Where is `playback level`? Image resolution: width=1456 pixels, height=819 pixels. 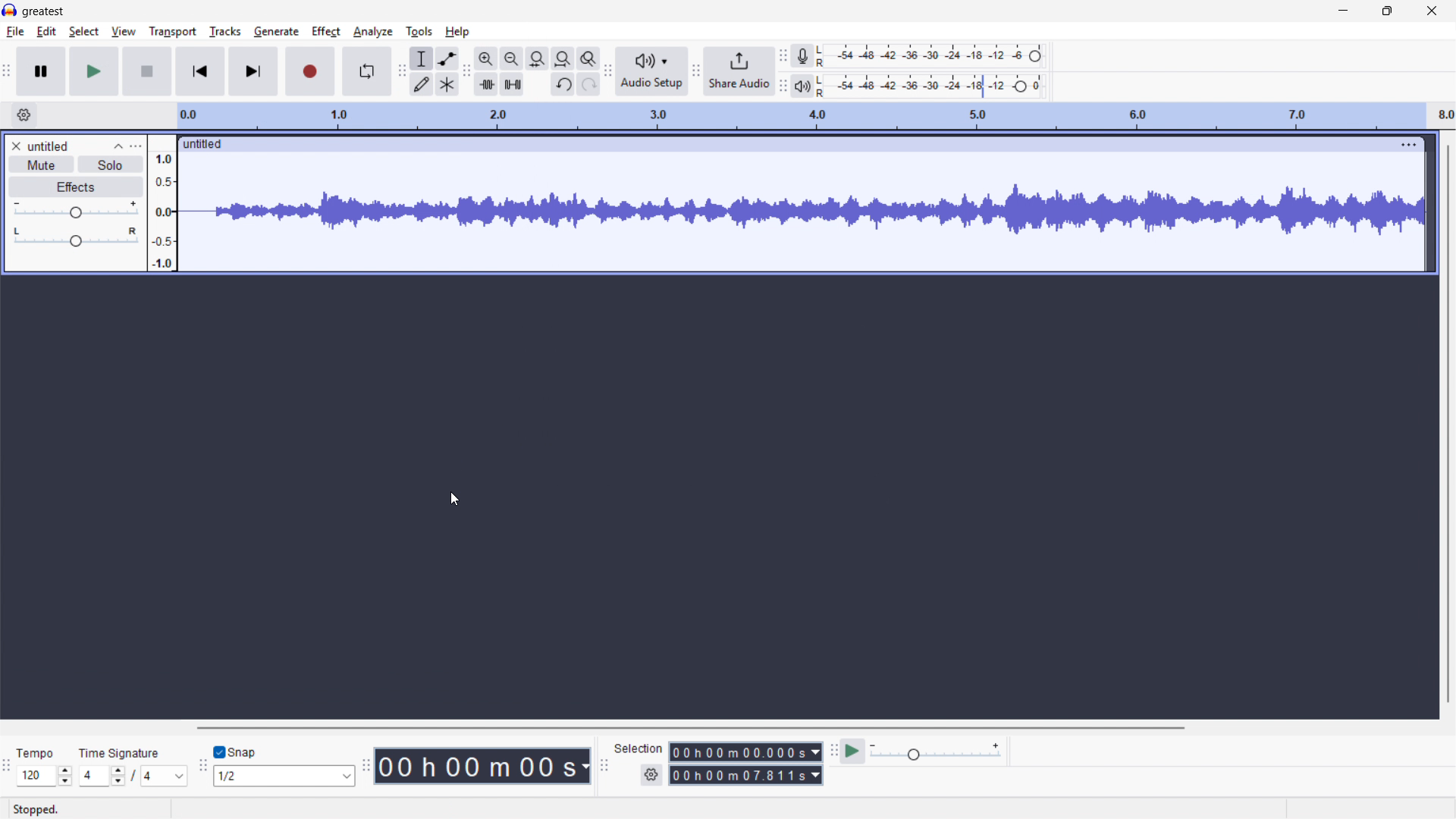
playback level is located at coordinates (934, 86).